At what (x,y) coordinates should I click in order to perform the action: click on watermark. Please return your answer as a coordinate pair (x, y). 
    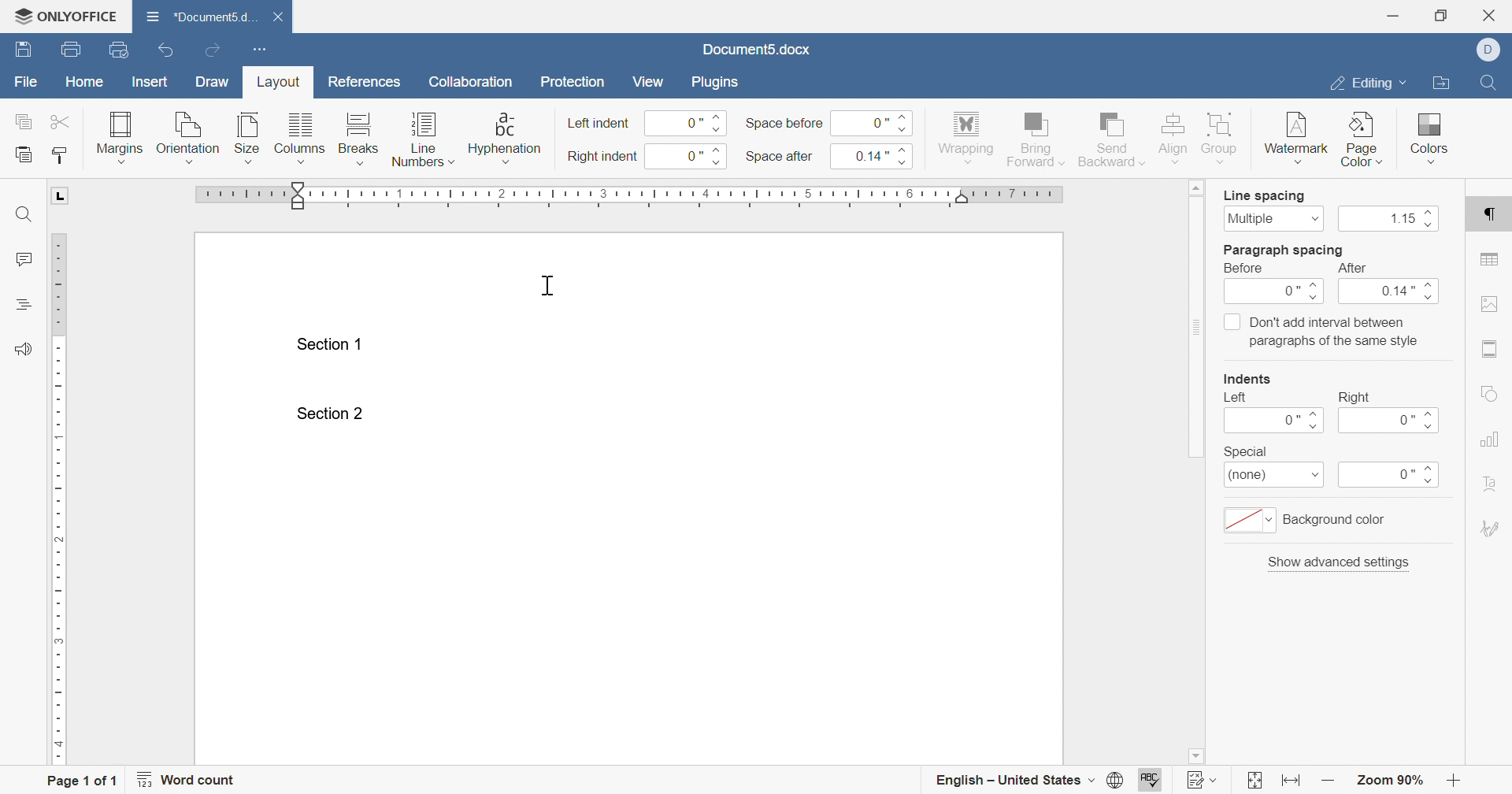
    Looking at the image, I should click on (1294, 141).